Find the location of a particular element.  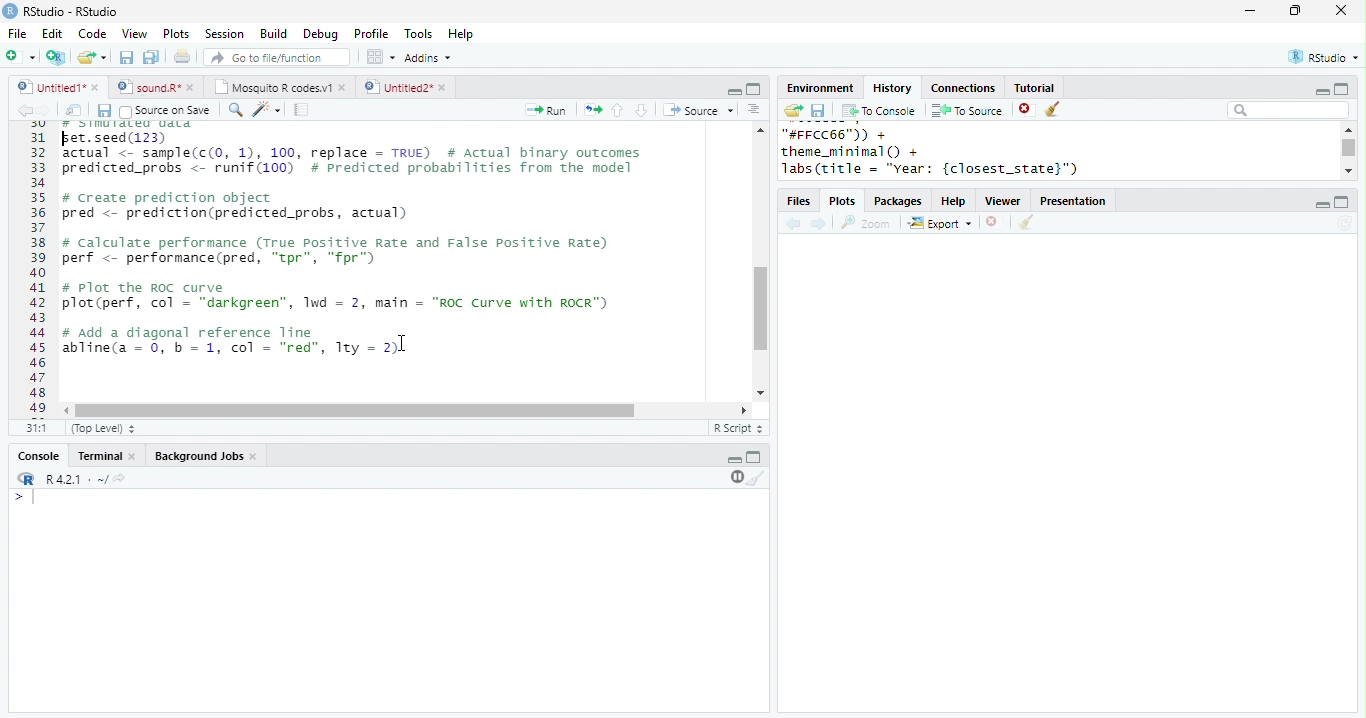

# Create prediction object
pred <- prediction(predicted_probs, actual) is located at coordinates (234, 207).